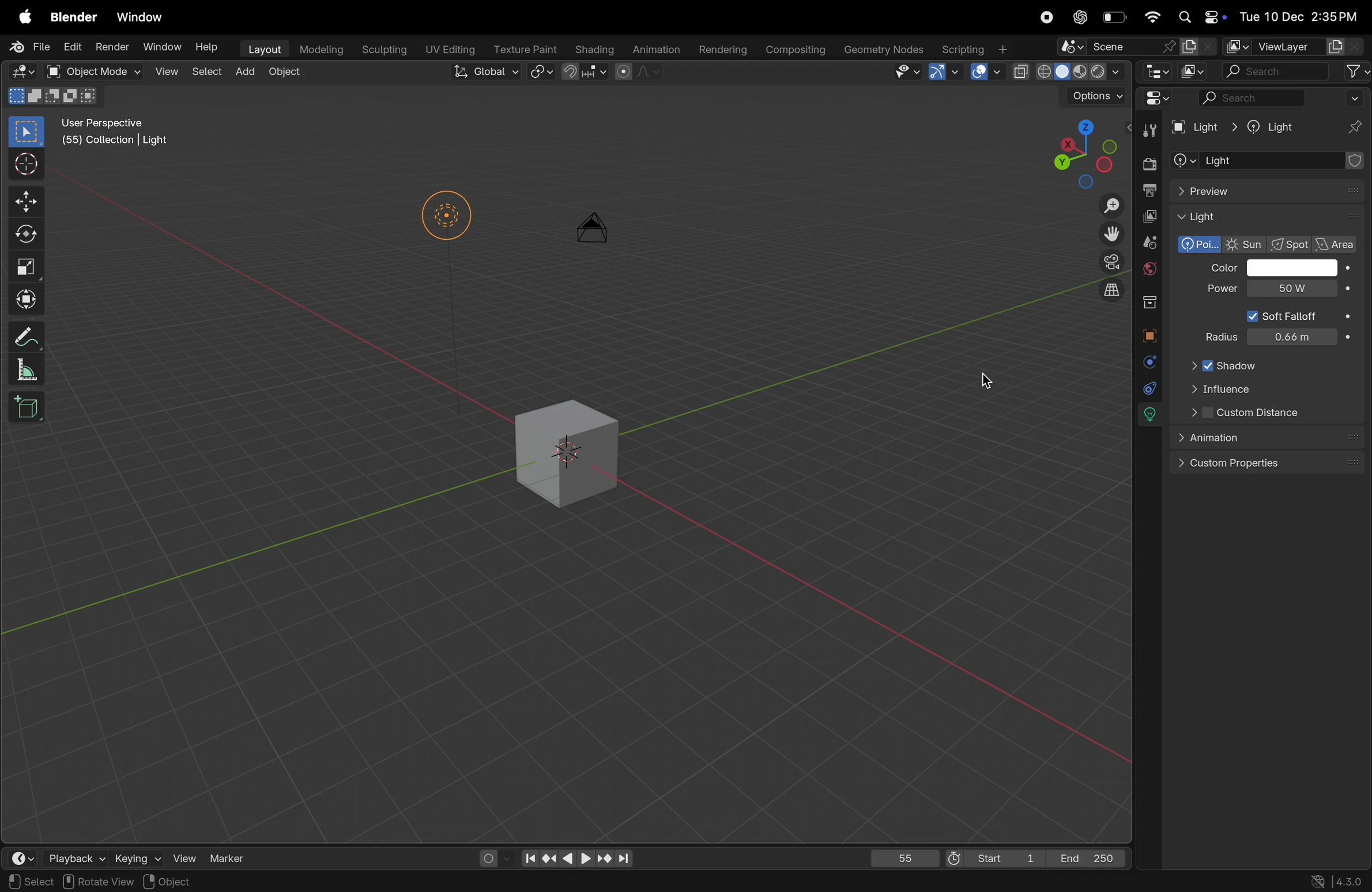  What do you see at coordinates (1220, 270) in the screenshot?
I see `Color` at bounding box center [1220, 270].